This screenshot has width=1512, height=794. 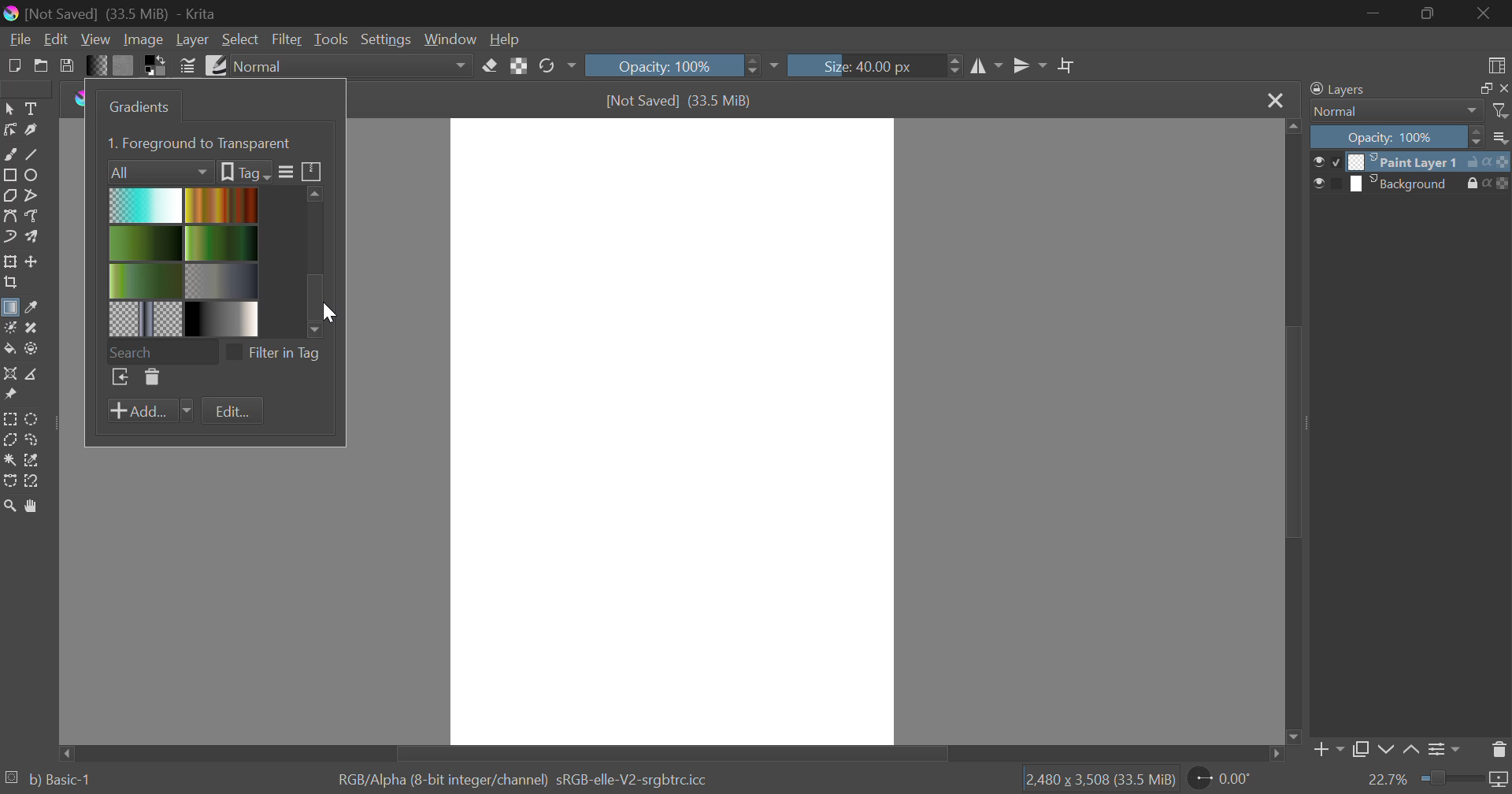 What do you see at coordinates (35, 217) in the screenshot?
I see `Freehand Path Tool` at bounding box center [35, 217].